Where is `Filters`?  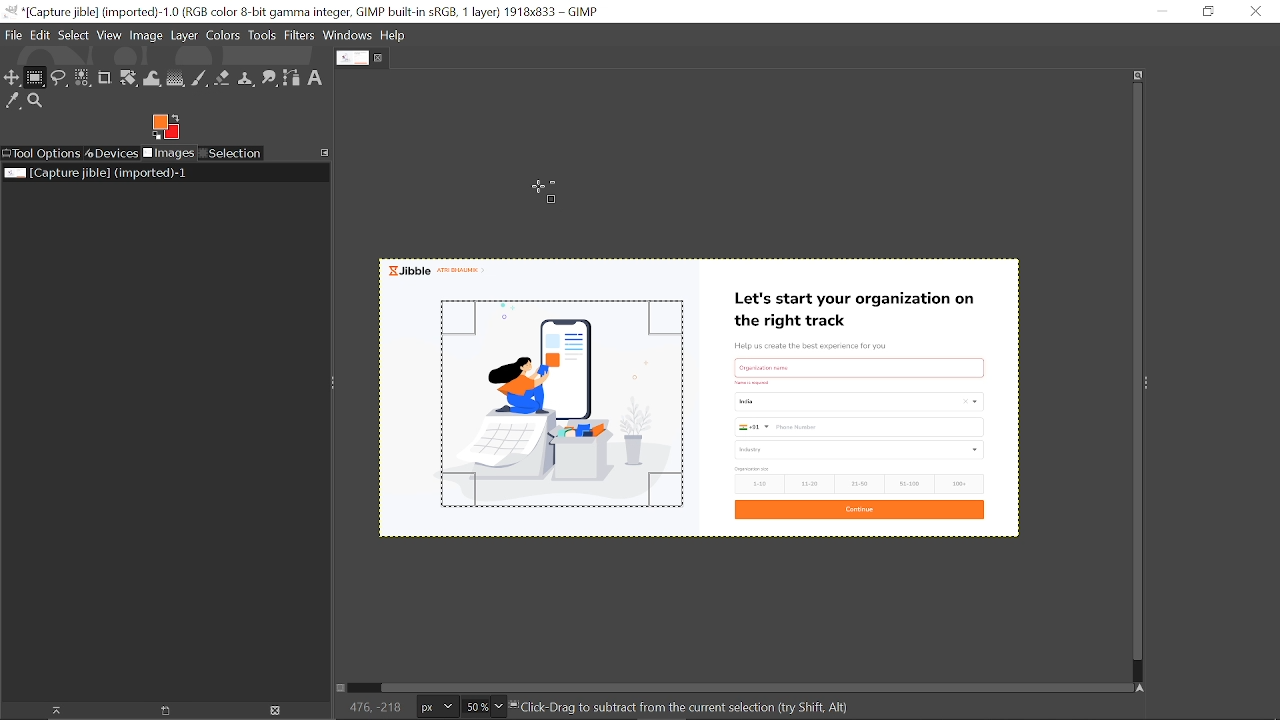 Filters is located at coordinates (300, 36).